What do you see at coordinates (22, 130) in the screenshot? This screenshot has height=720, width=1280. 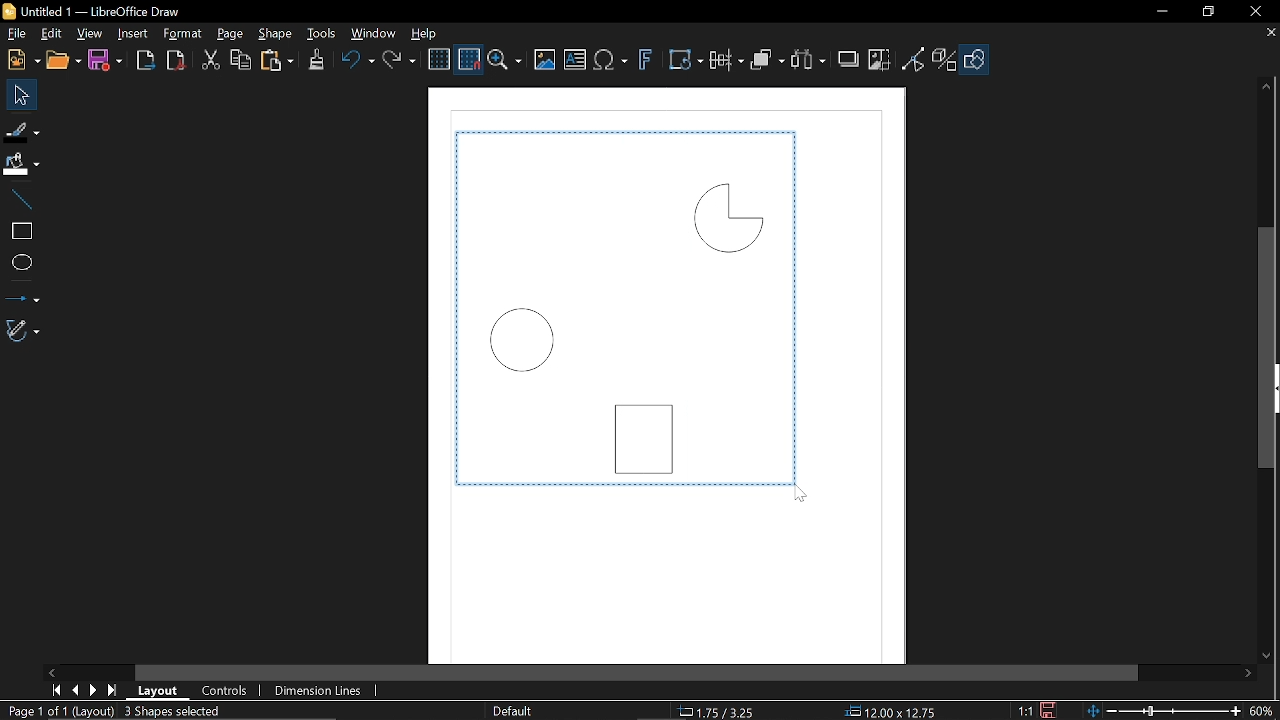 I see `Fill line` at bounding box center [22, 130].